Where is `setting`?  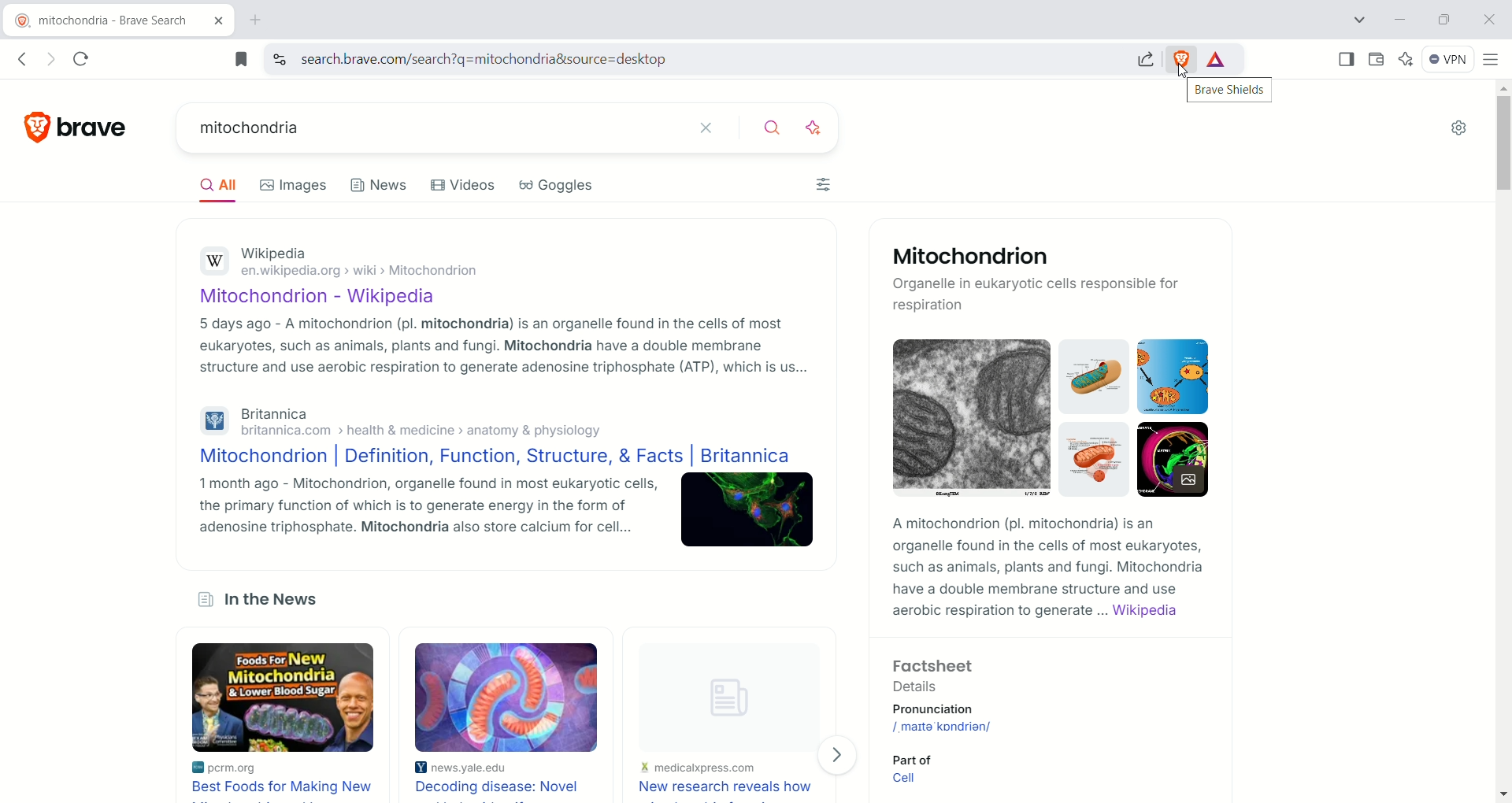
setting is located at coordinates (1456, 131).